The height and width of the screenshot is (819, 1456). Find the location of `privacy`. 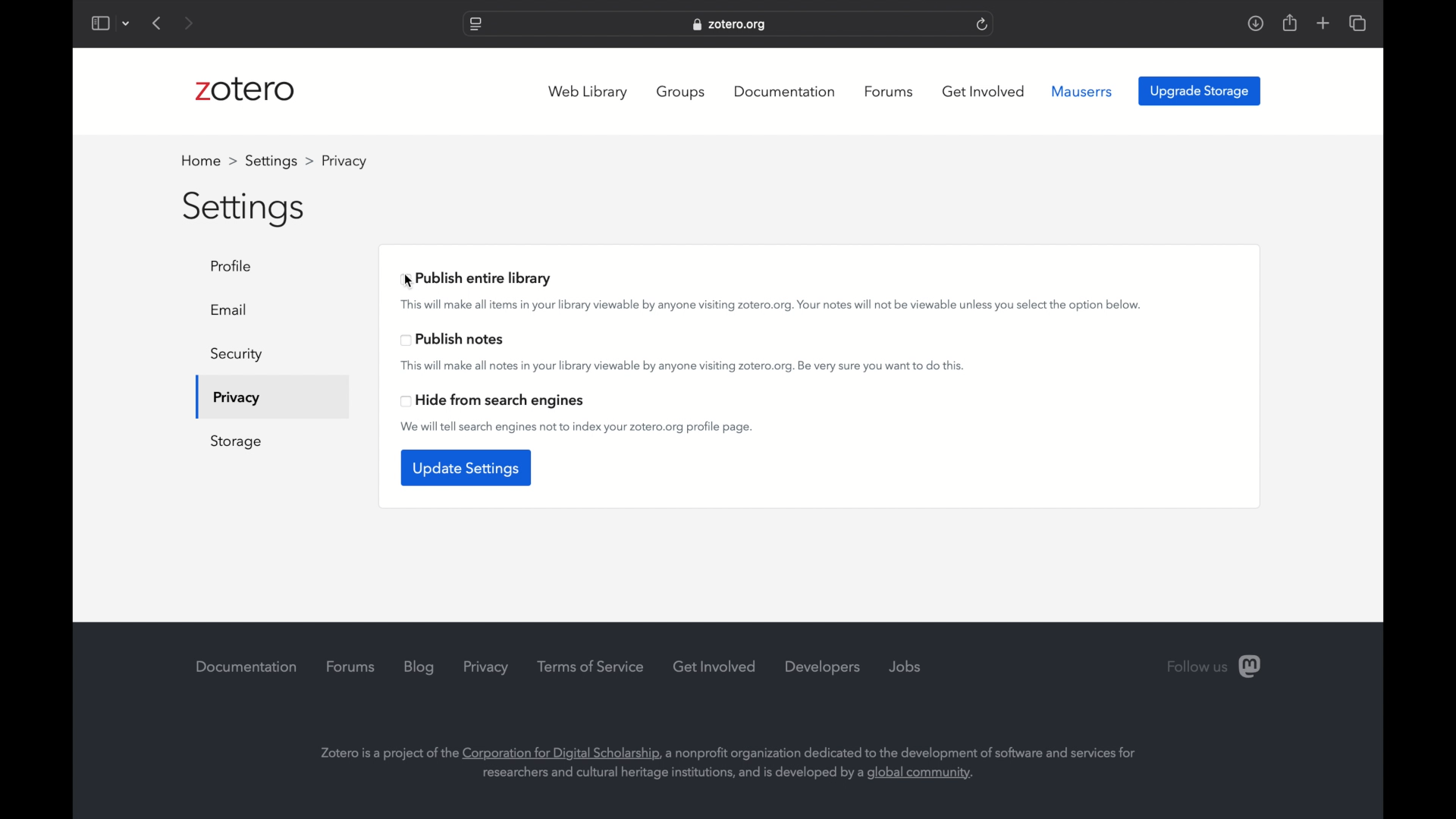

privacy is located at coordinates (486, 668).